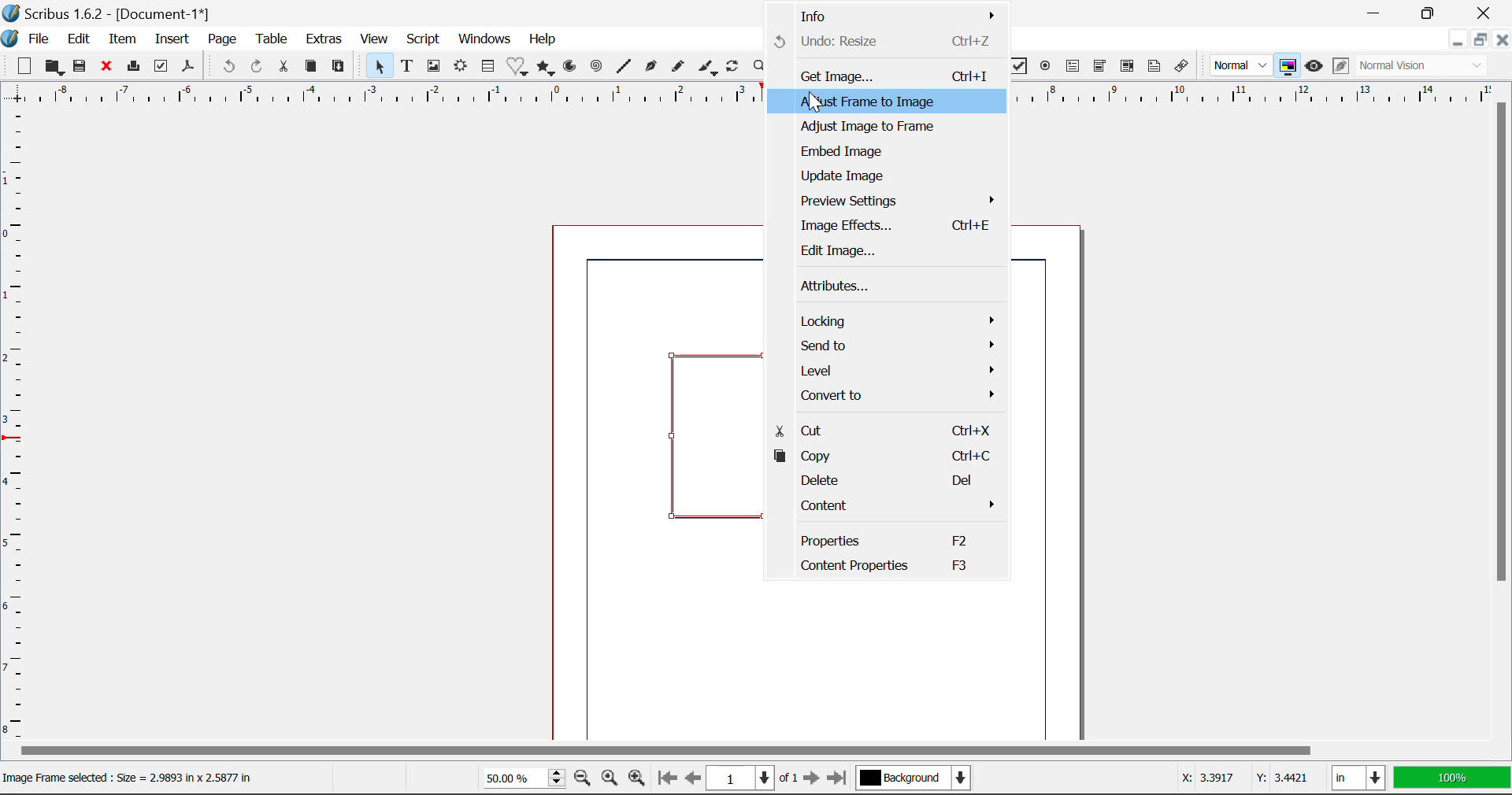 The image size is (1512, 795). Describe the element at coordinates (490, 66) in the screenshot. I see `Insert Table` at that location.